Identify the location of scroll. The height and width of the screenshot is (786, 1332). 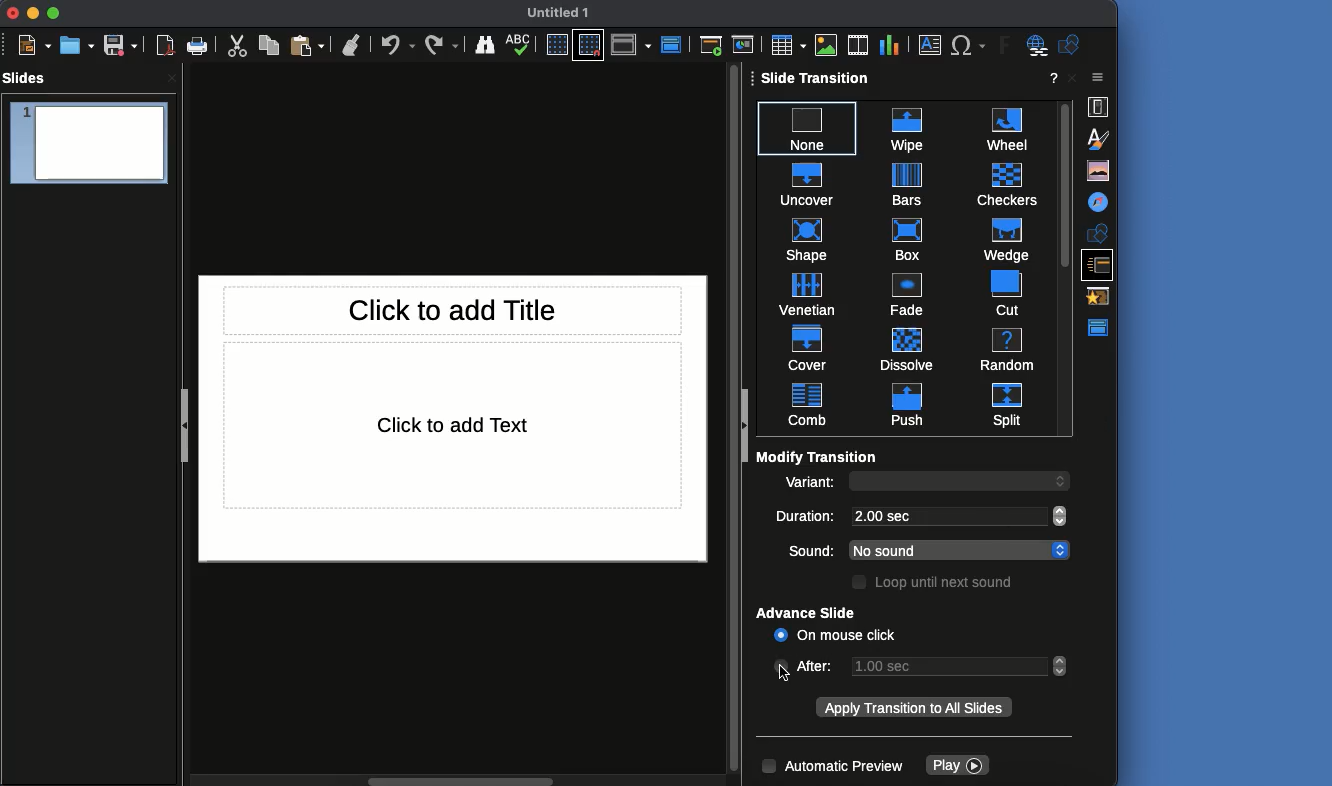
(732, 422).